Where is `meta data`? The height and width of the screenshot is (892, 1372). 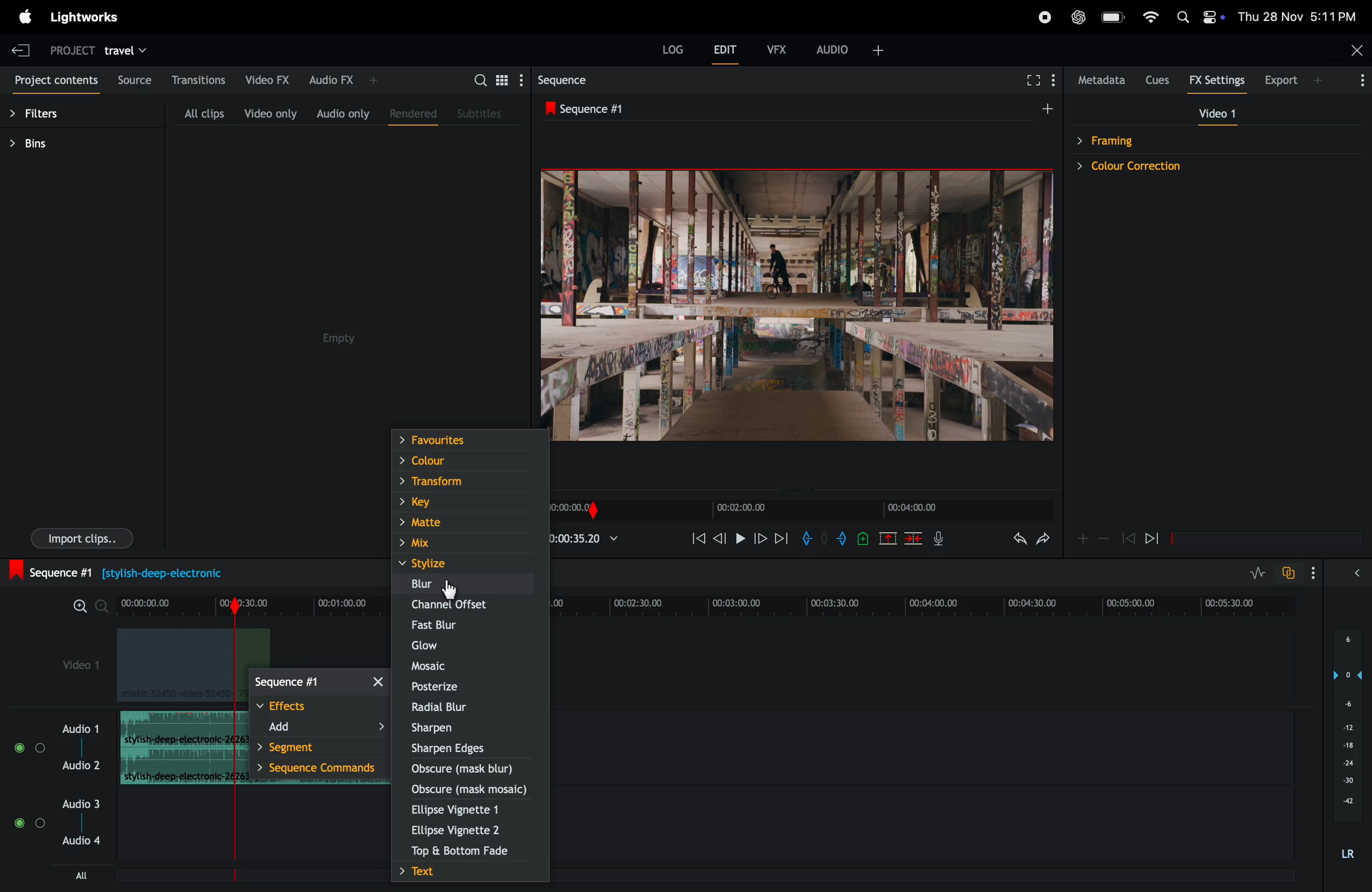
meta data is located at coordinates (1099, 81).